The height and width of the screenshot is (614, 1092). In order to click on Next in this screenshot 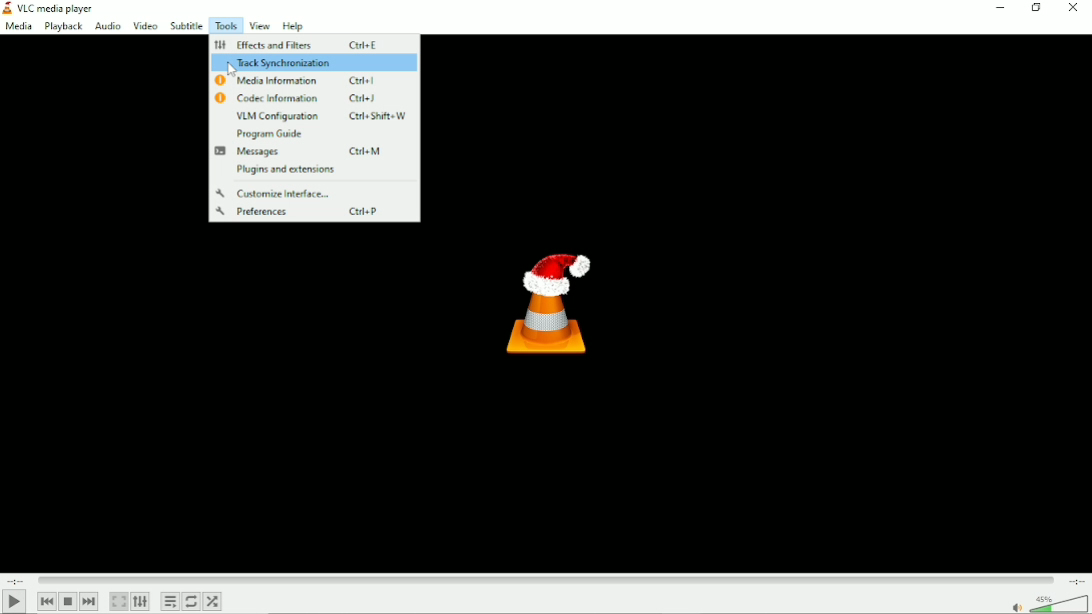, I will do `click(90, 602)`.